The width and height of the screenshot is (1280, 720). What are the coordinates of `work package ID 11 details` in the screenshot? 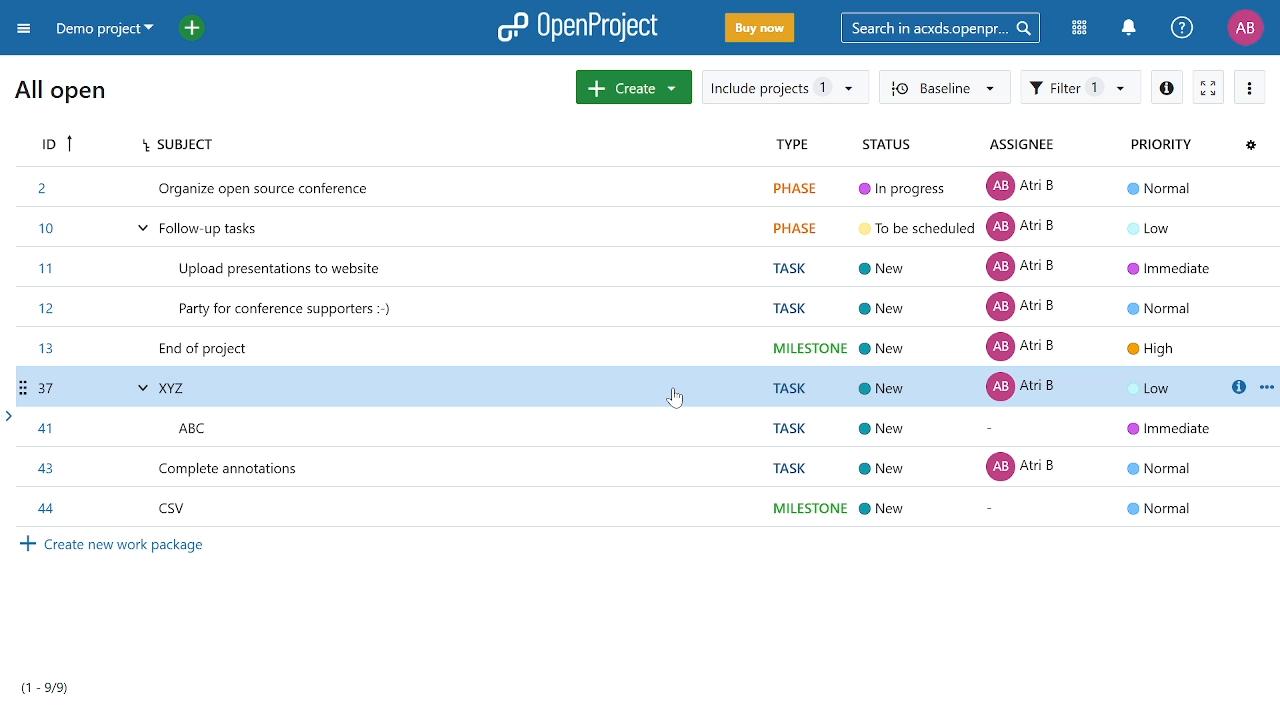 It's located at (649, 271).